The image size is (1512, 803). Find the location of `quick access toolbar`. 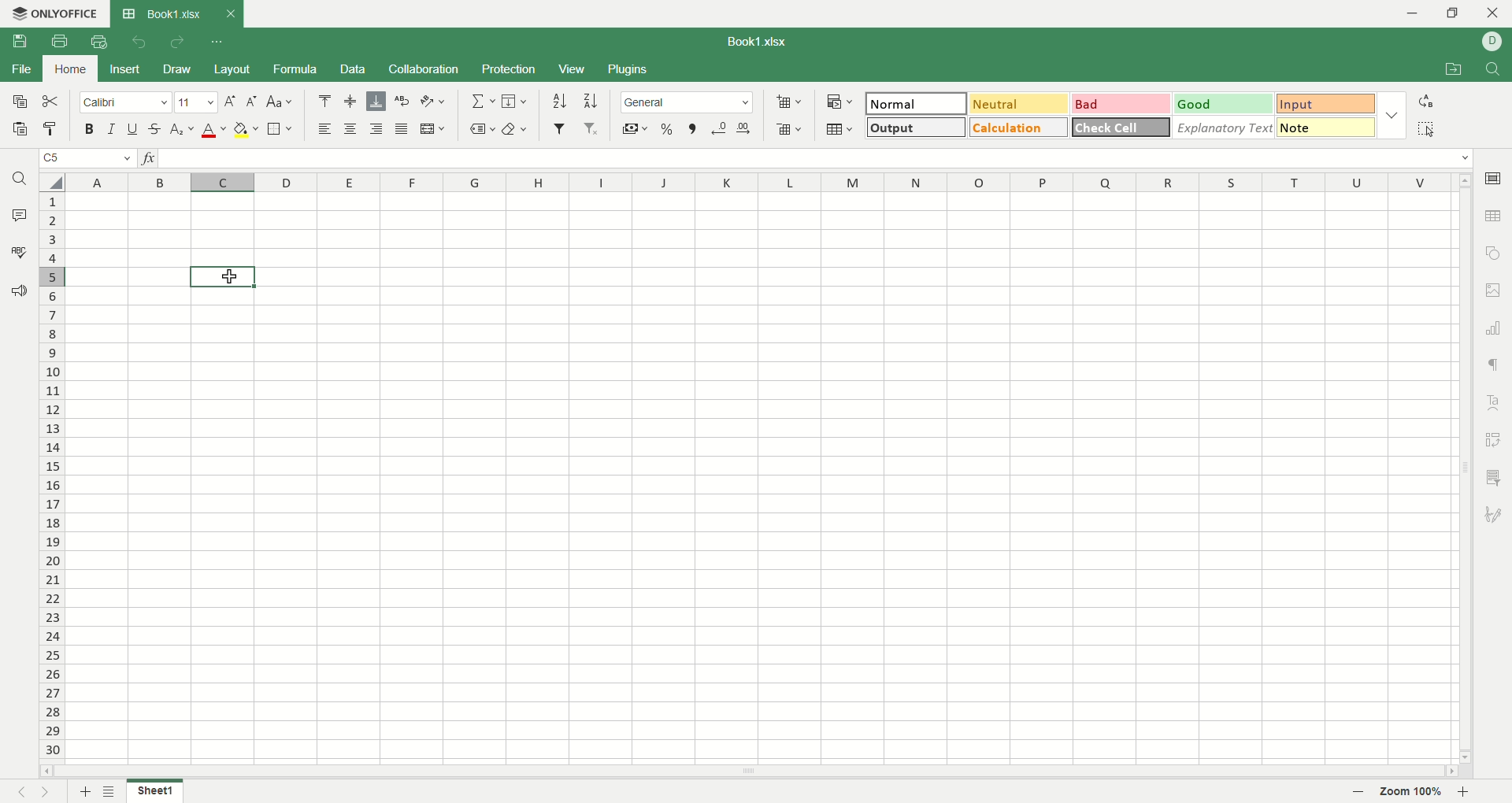

quick access toolbar is located at coordinates (218, 43).